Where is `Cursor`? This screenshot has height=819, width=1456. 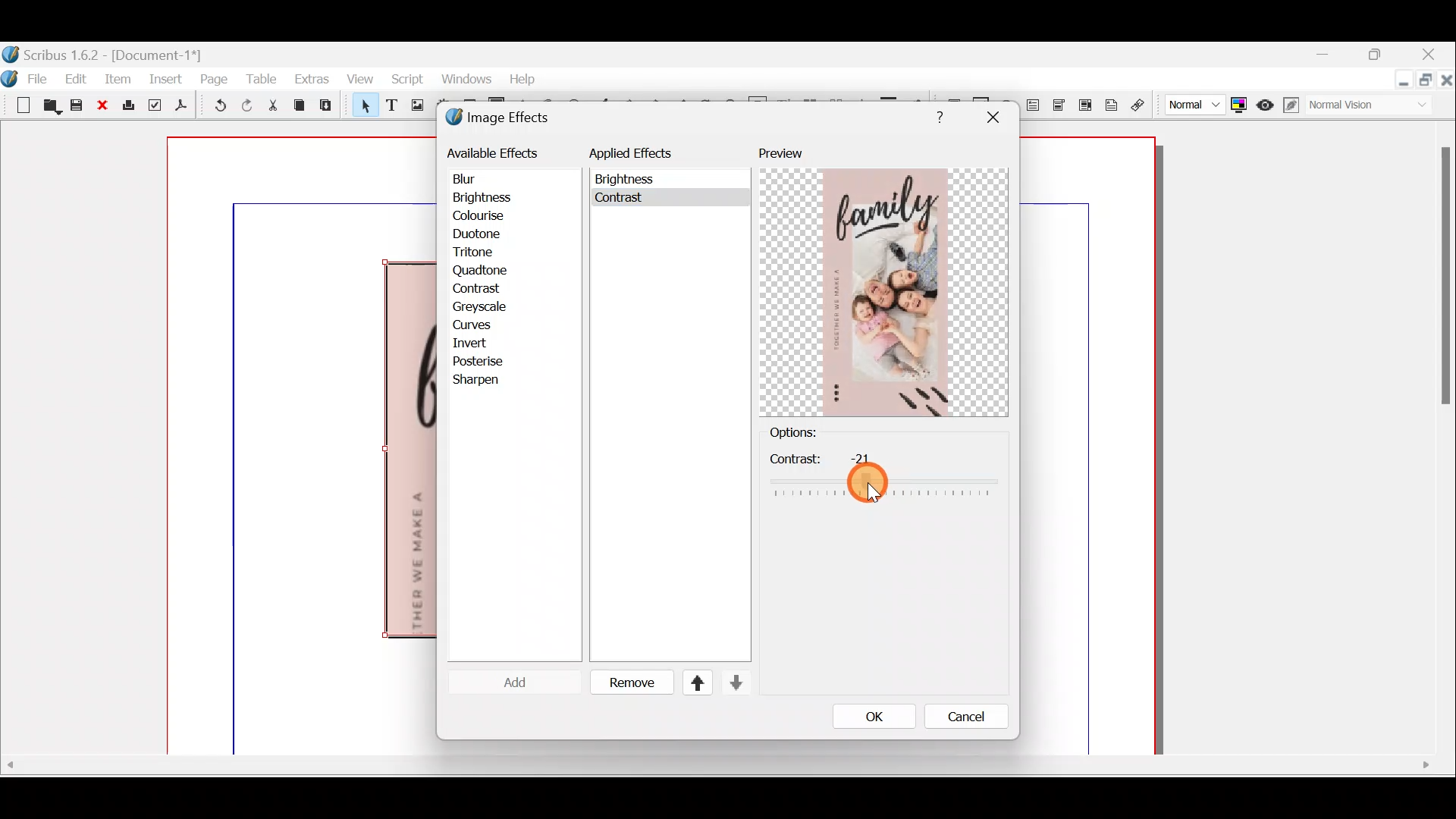
Cursor is located at coordinates (482, 290).